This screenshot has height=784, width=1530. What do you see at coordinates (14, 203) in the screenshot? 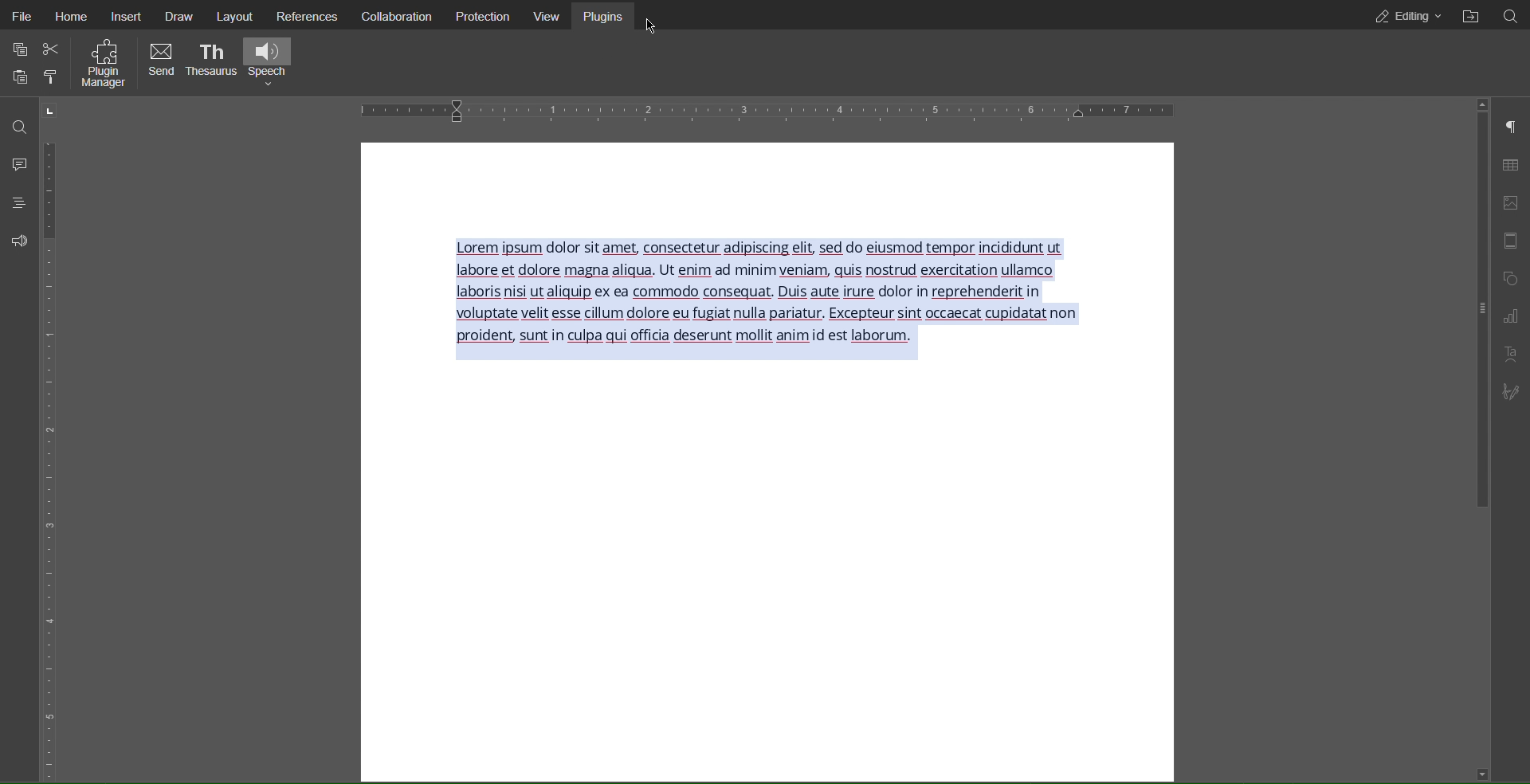
I see `Headings` at bounding box center [14, 203].